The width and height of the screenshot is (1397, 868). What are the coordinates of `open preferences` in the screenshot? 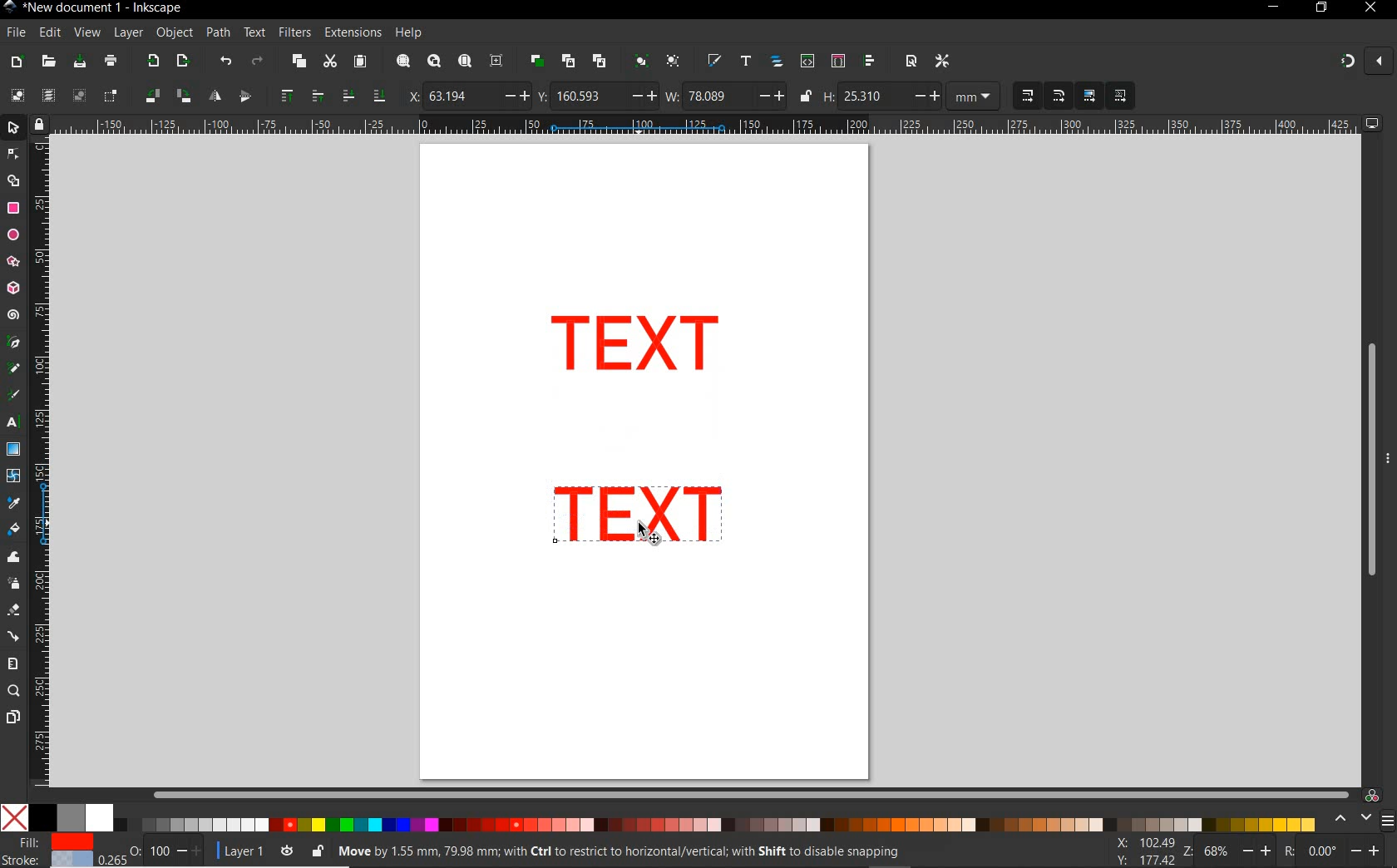 It's located at (943, 60).